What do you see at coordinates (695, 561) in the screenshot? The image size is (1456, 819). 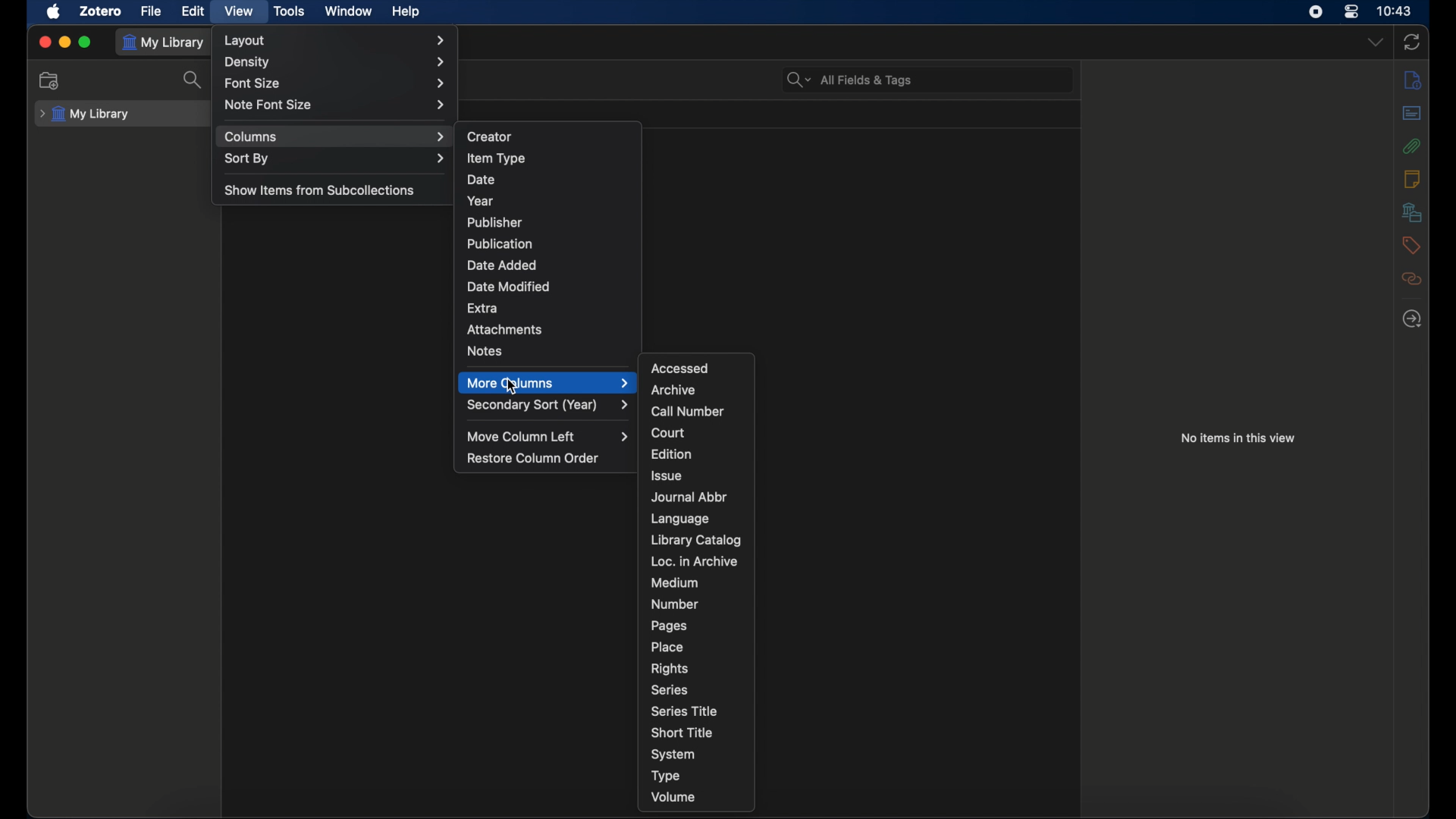 I see `loc. in archive` at bounding box center [695, 561].